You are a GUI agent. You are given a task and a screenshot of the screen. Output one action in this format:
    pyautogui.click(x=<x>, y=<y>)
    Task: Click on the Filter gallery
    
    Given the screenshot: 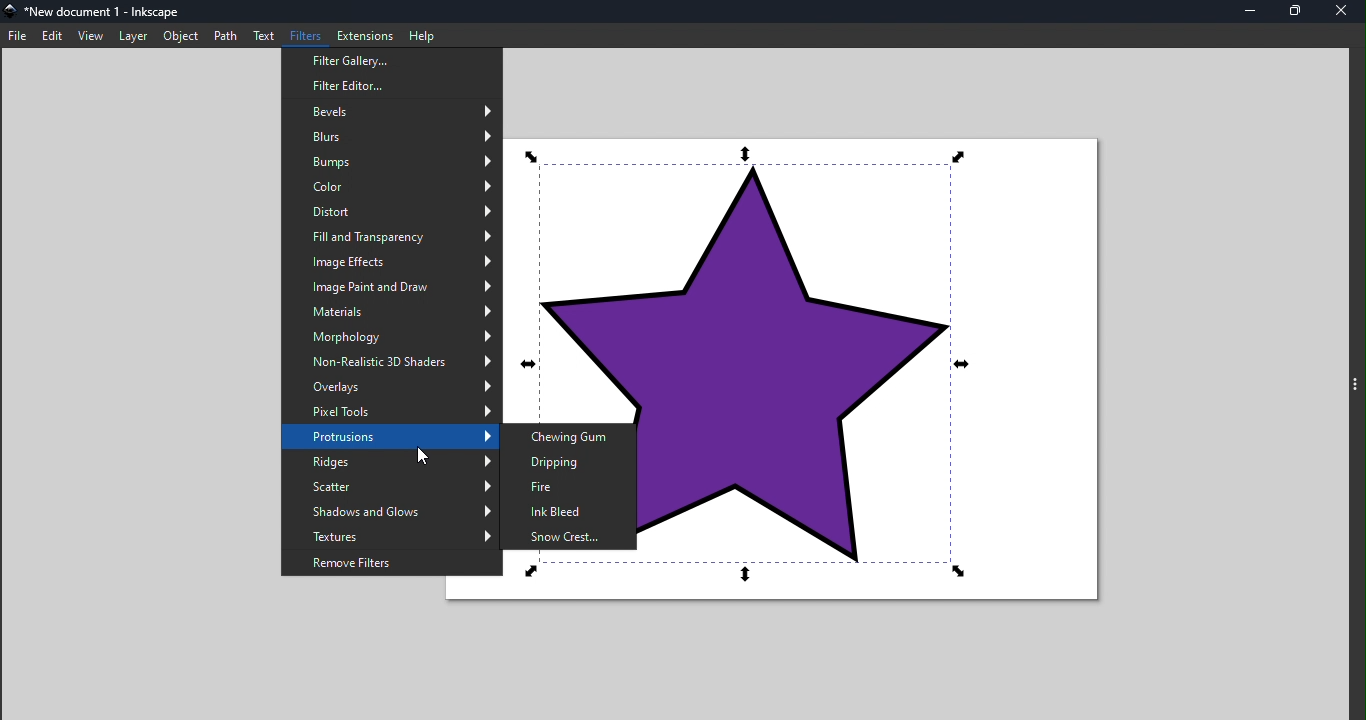 What is the action you would take?
    pyautogui.click(x=390, y=62)
    